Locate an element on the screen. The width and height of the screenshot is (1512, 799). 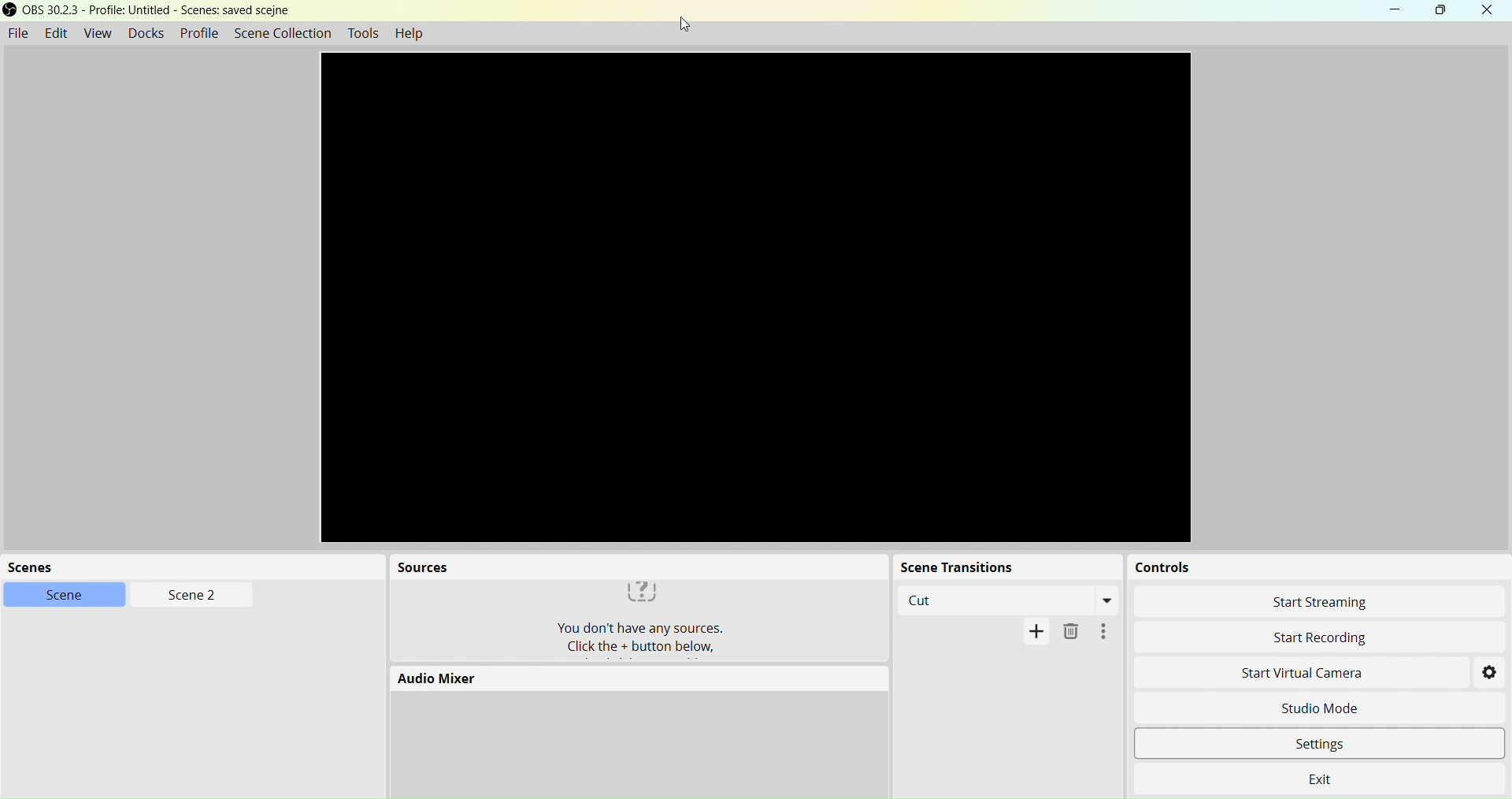
Add is located at coordinates (1036, 634).